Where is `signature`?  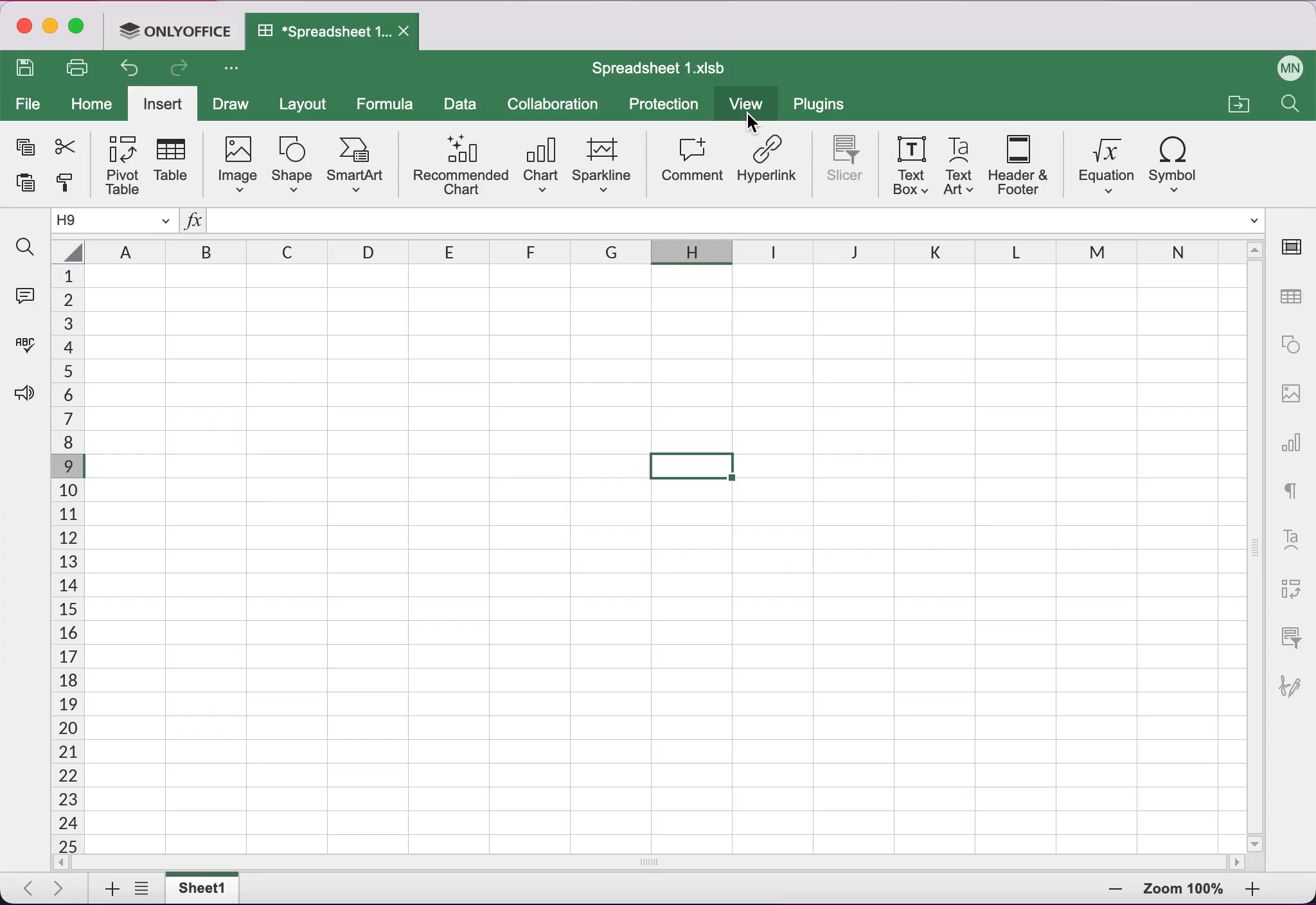
signature is located at coordinates (1295, 695).